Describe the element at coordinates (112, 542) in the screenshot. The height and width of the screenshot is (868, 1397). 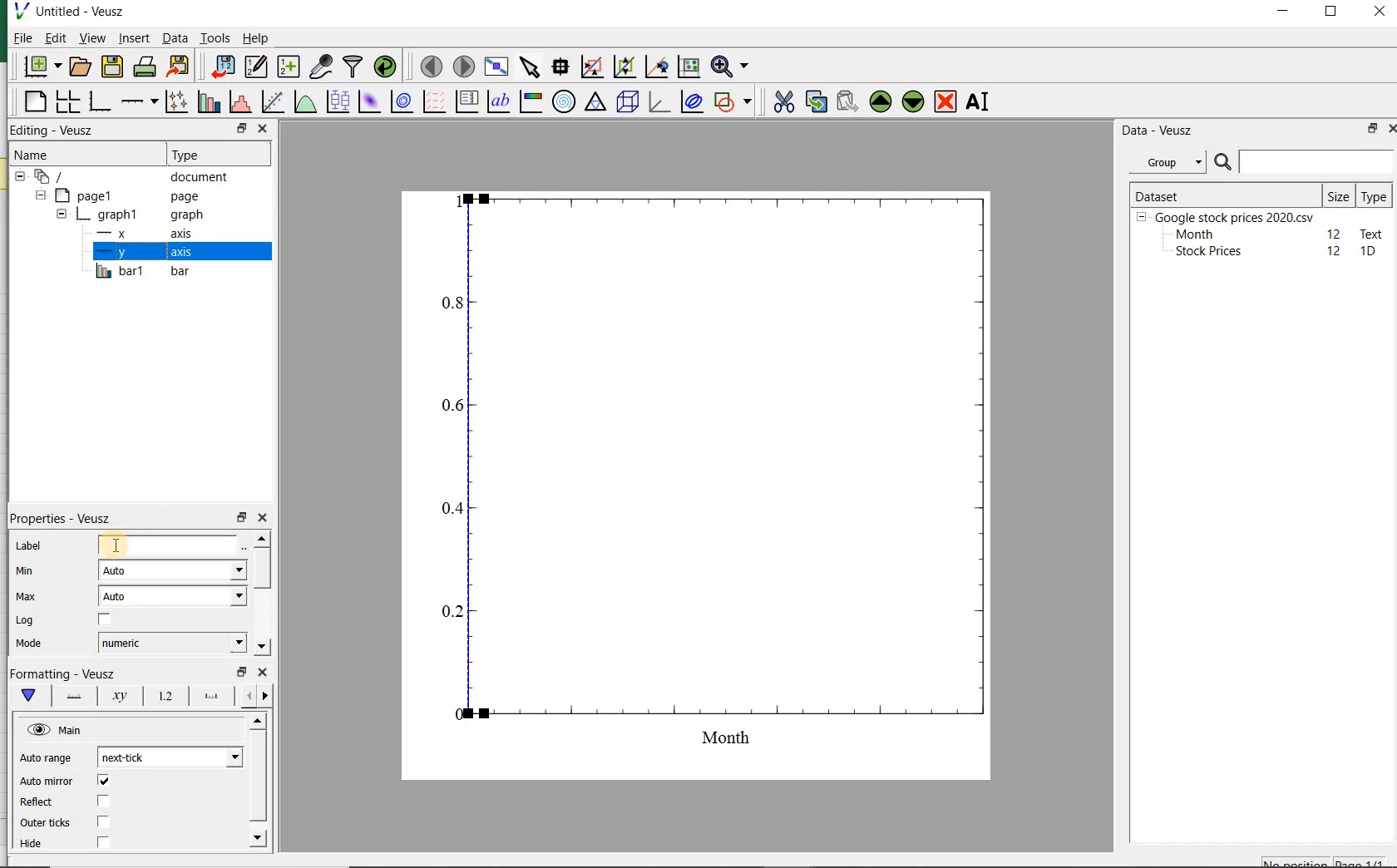
I see `cursor` at that location.